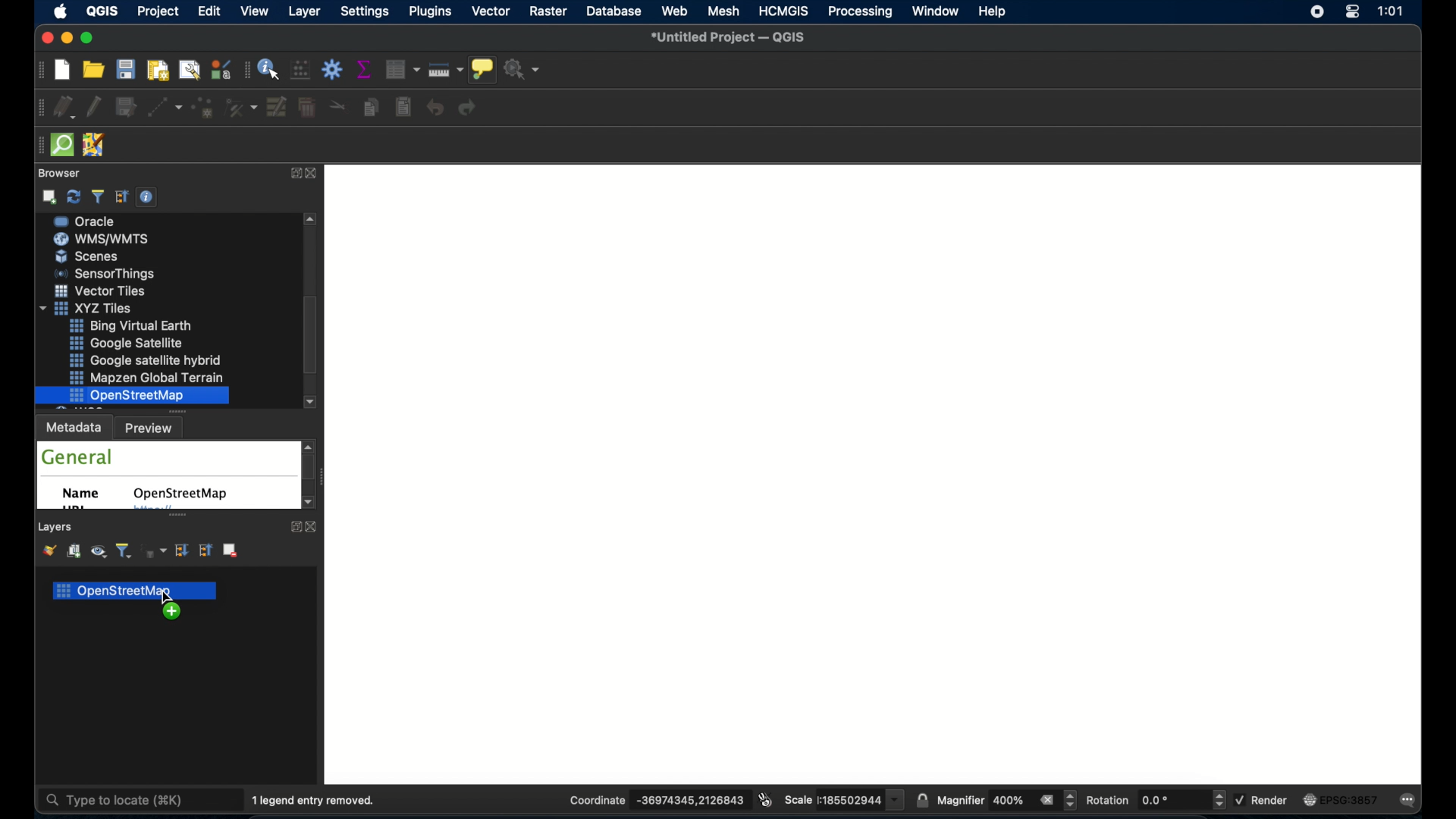 The image size is (1456, 819). I want to click on style manager, so click(221, 71).